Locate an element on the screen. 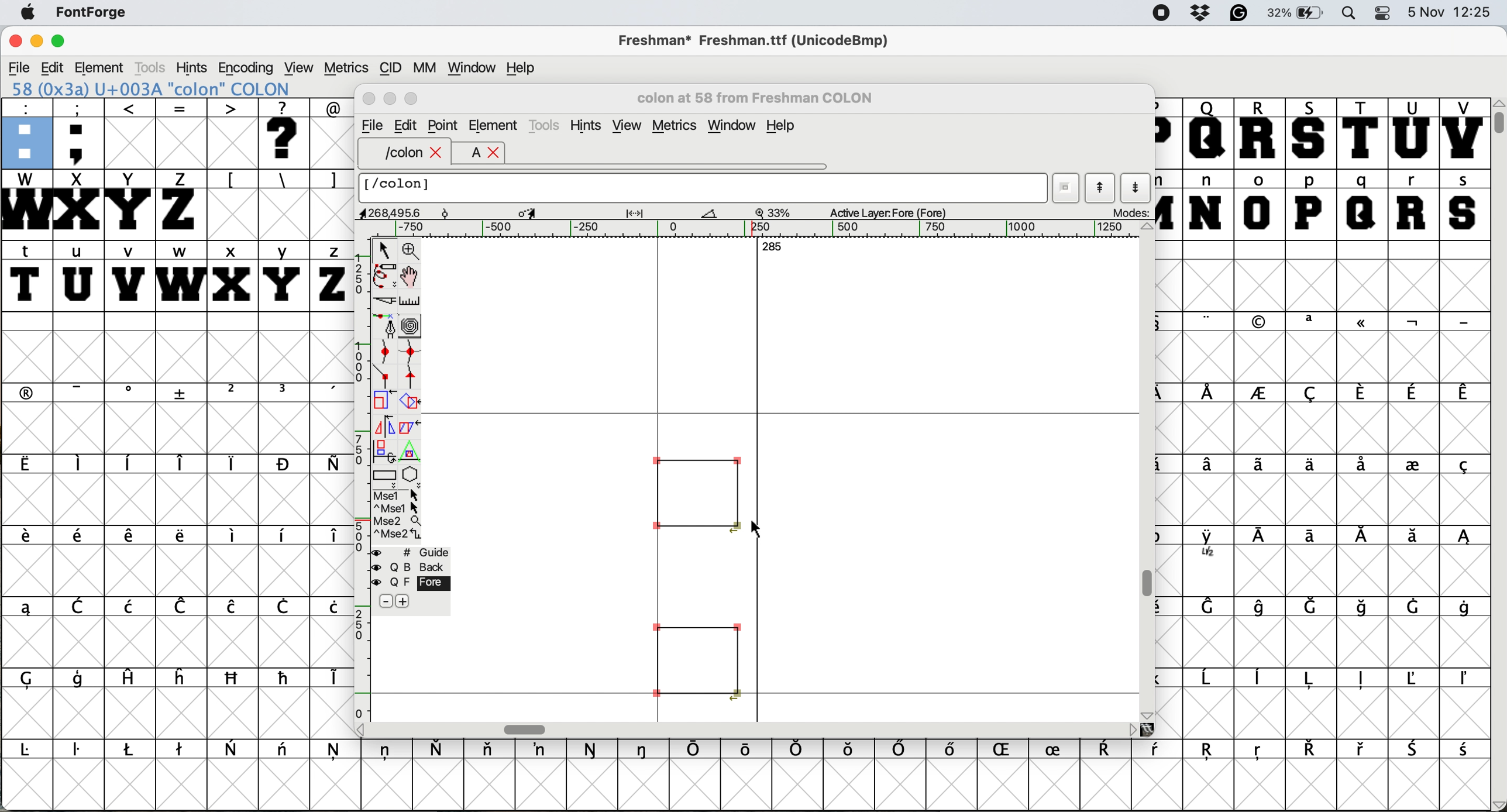 The image size is (1507, 812). symbol is located at coordinates (1412, 606).